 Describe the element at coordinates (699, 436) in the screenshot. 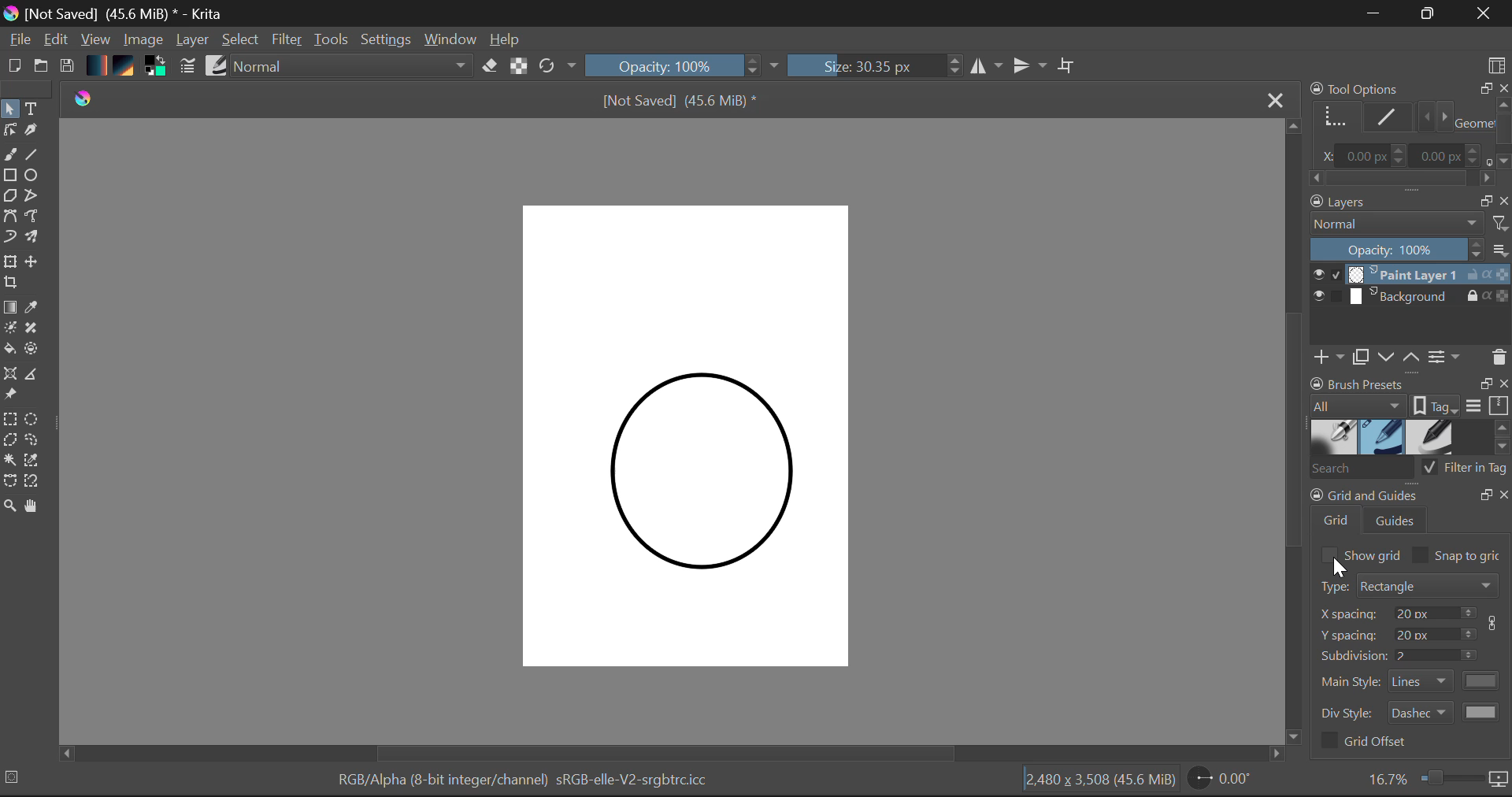

I see `Document Workspace` at that location.